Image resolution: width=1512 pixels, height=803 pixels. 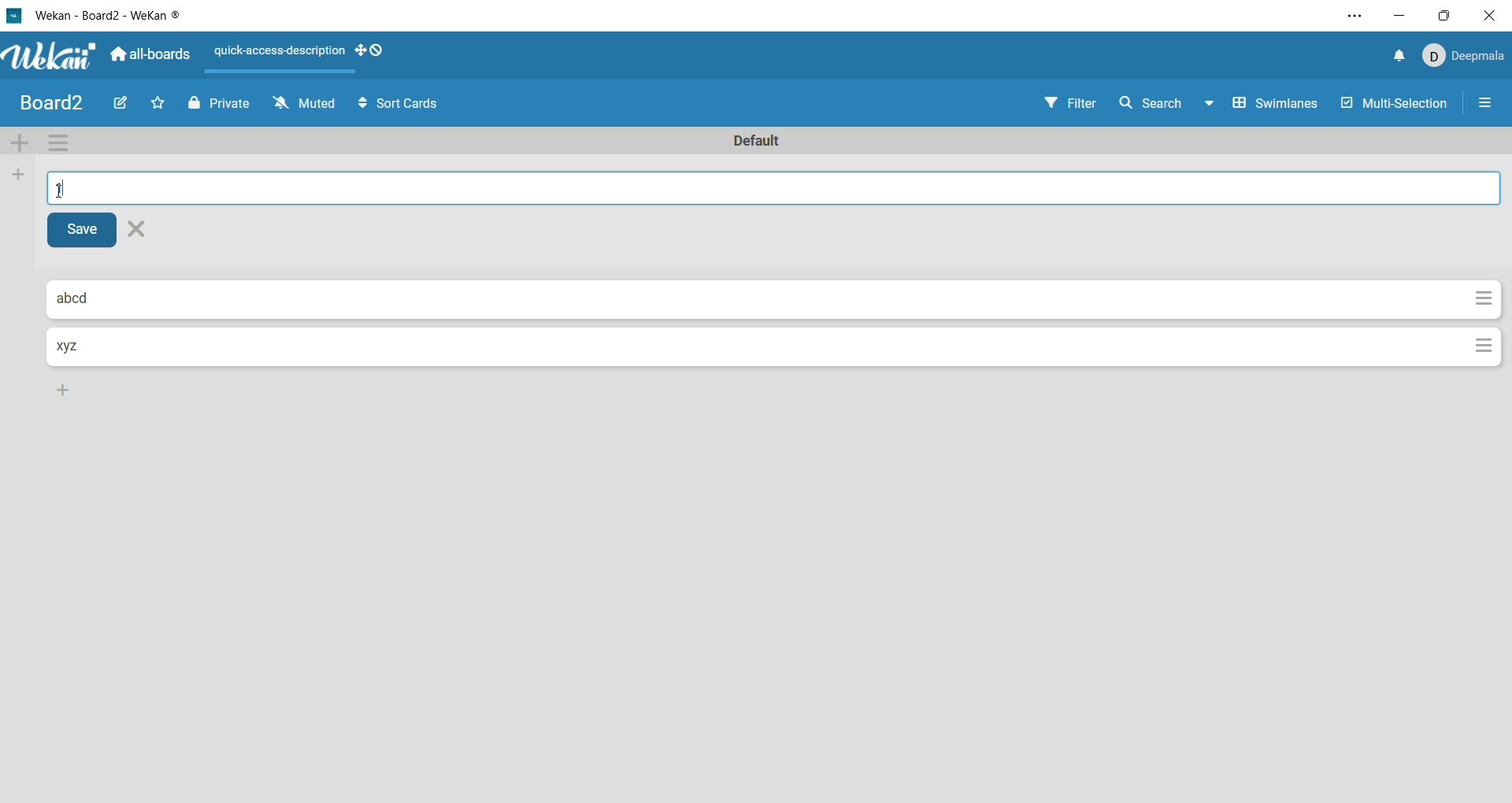 What do you see at coordinates (76, 346) in the screenshot?
I see `list title` at bounding box center [76, 346].